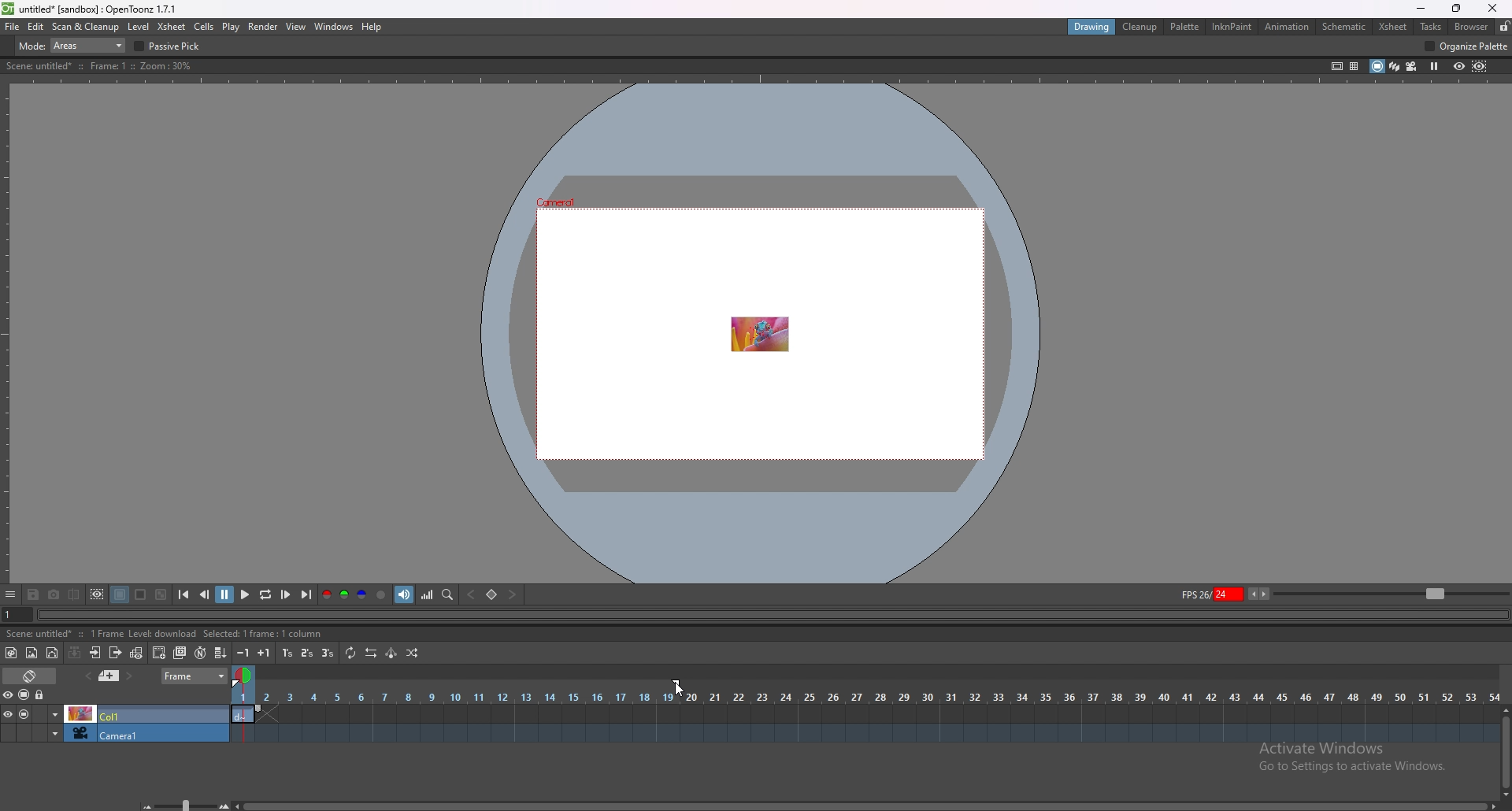  I want to click on reframe on 2s, so click(308, 653).